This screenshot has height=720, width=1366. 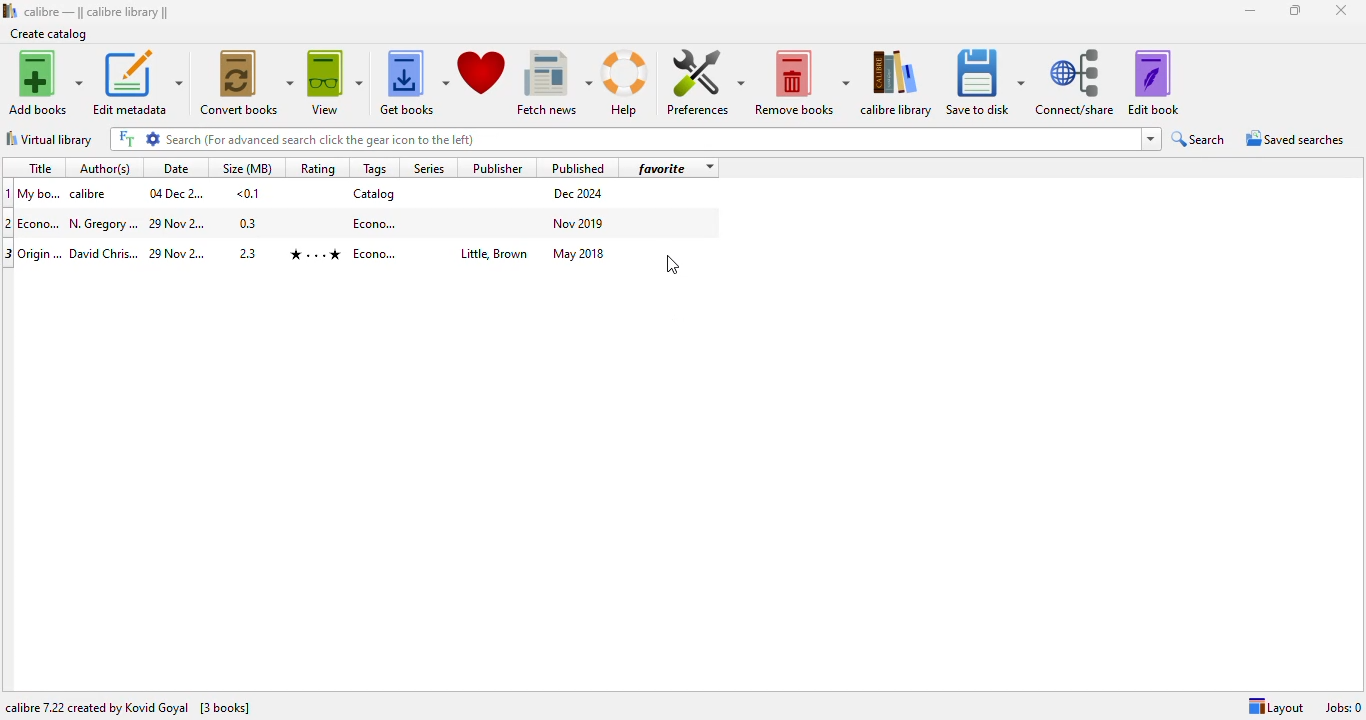 I want to click on calibre 7.22 created by Kovid Goyal, so click(x=97, y=708).